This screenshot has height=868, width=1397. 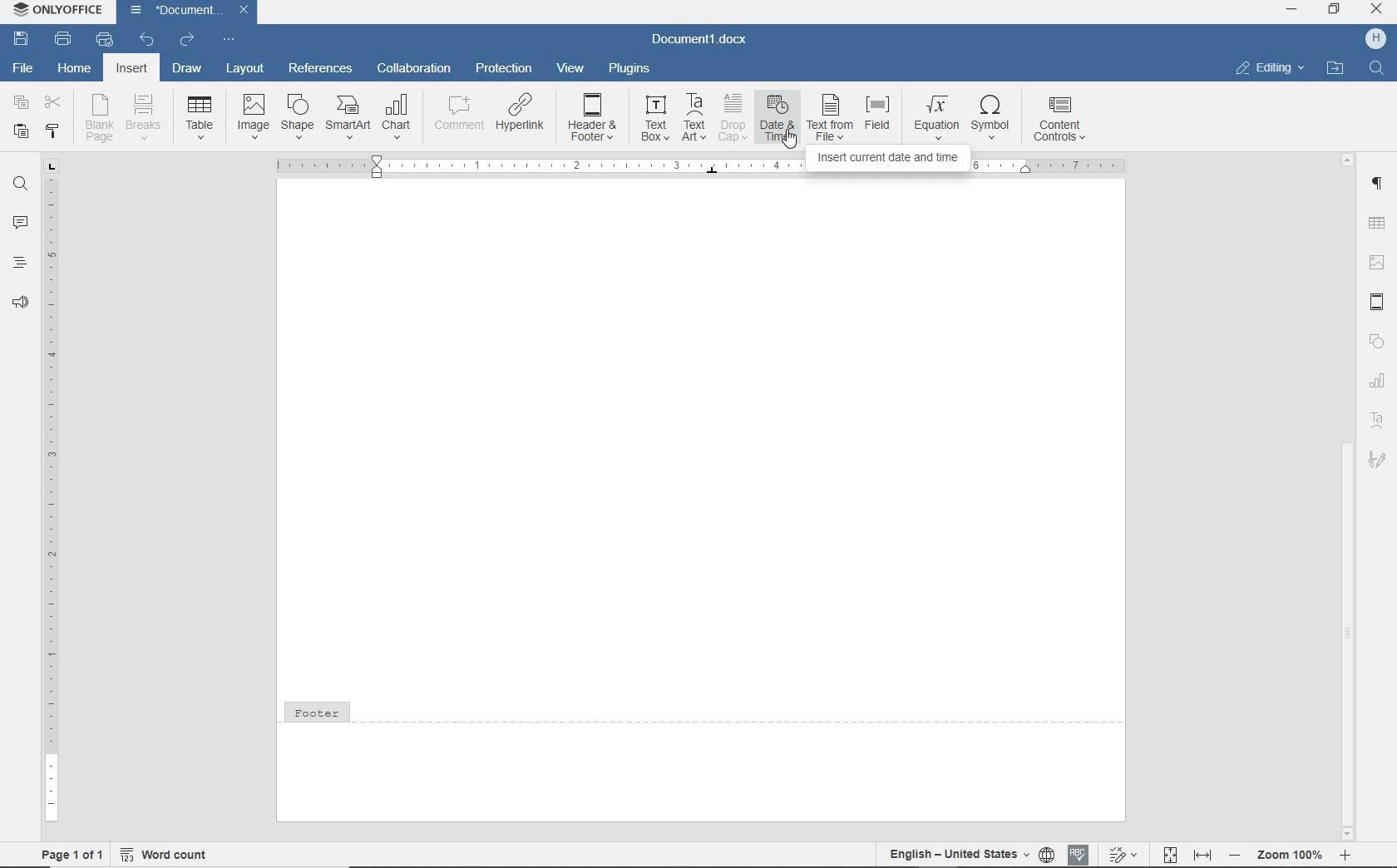 I want to click on Signature, so click(x=1380, y=465).